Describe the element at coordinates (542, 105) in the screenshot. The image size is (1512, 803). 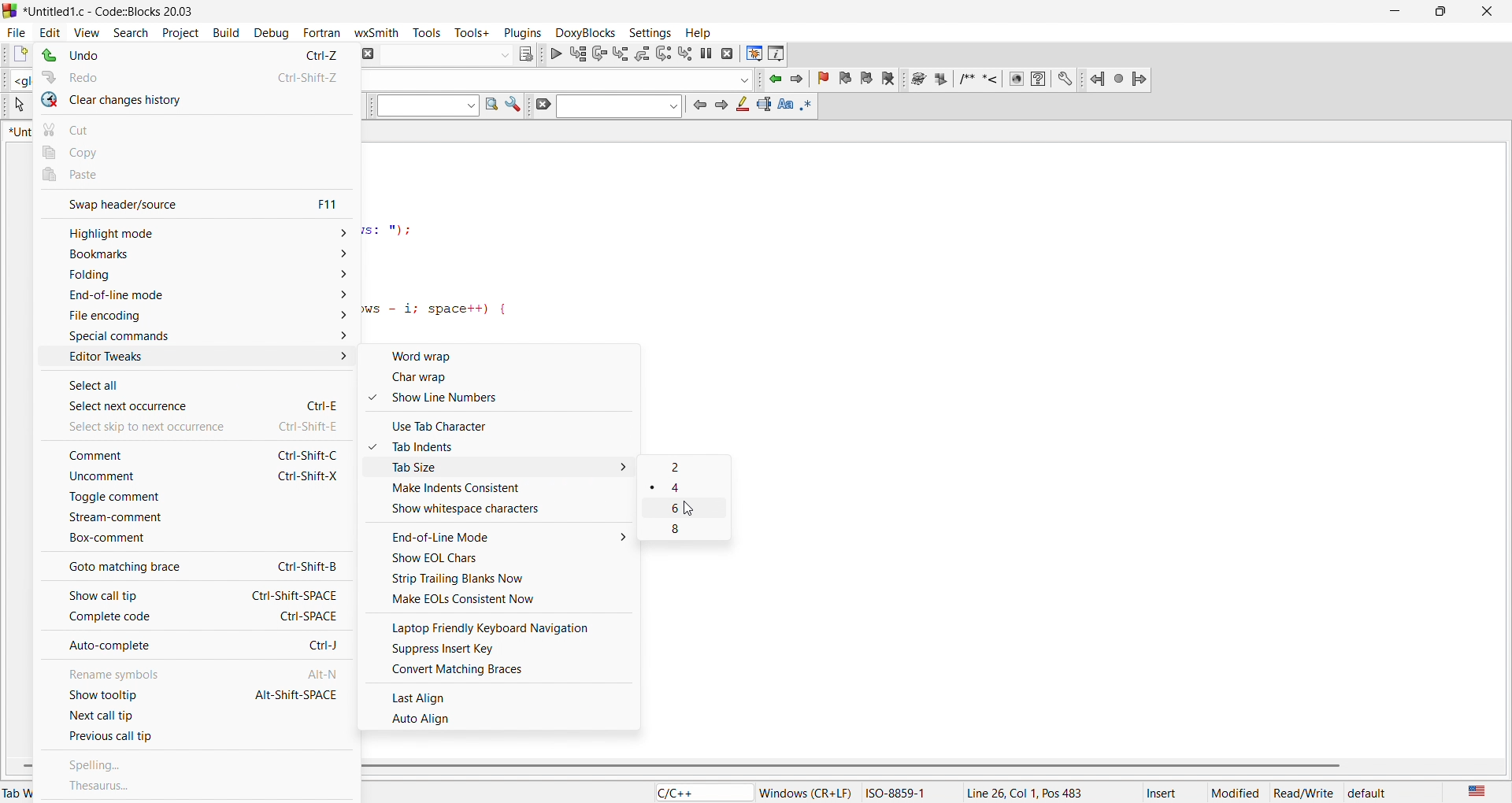
I see `icon` at that location.